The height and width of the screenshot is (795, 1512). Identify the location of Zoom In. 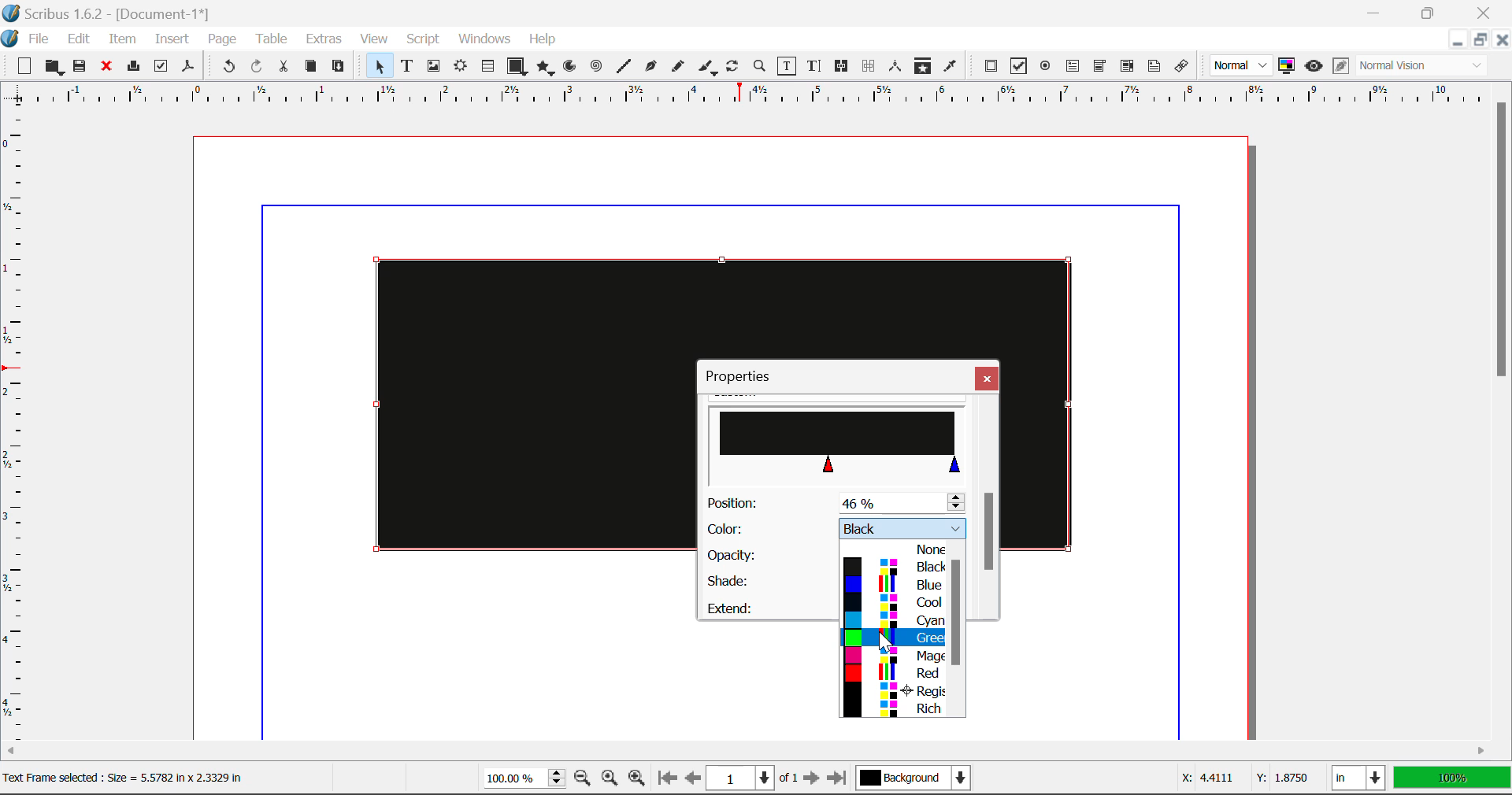
(637, 780).